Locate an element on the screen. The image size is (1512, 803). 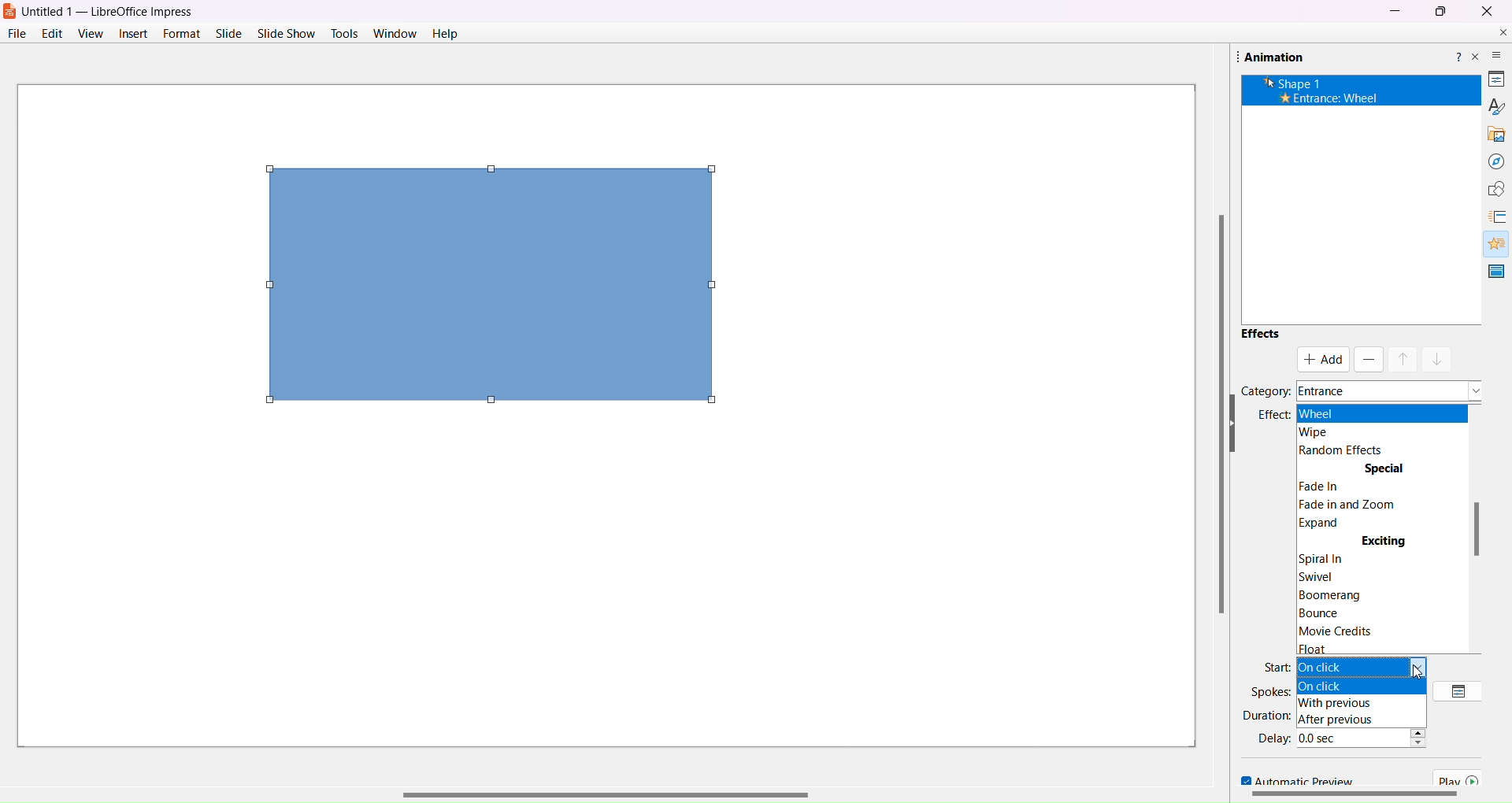
Slide Transitions is located at coordinates (1495, 217).